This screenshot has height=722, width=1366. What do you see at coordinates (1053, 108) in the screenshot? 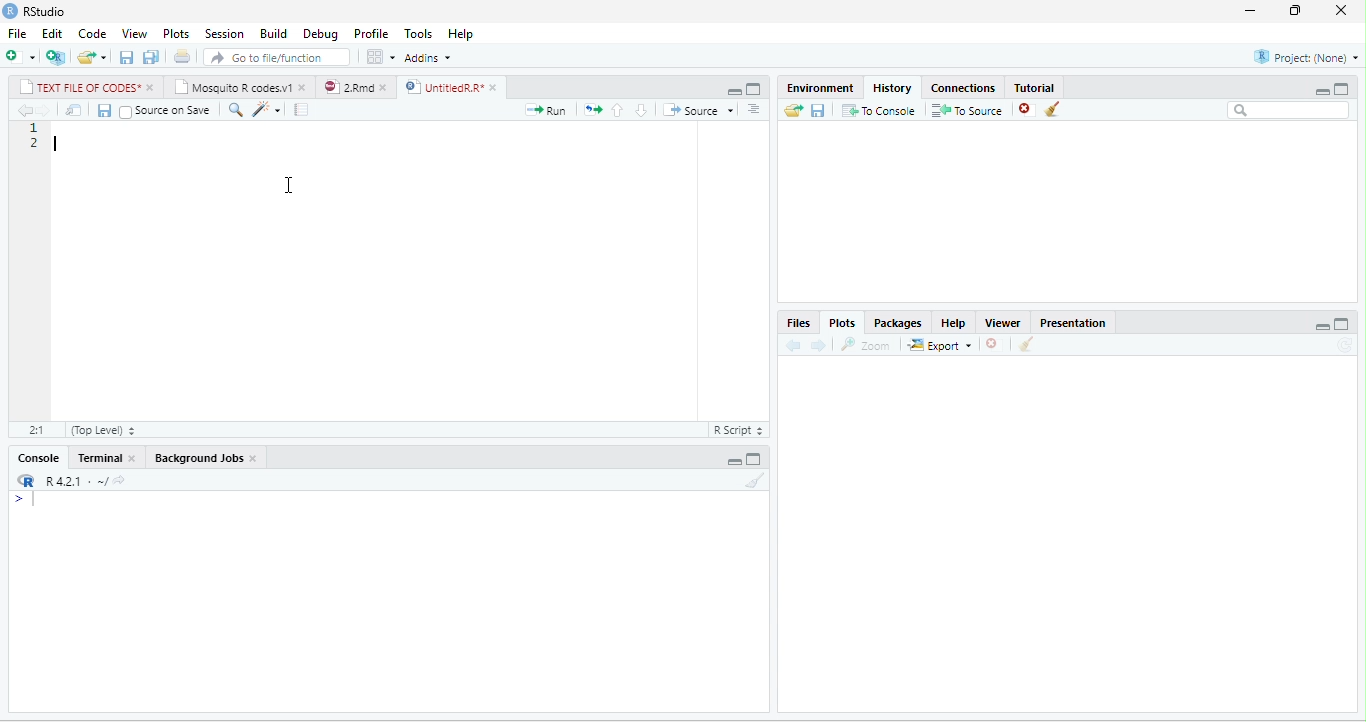
I see `clear` at bounding box center [1053, 108].